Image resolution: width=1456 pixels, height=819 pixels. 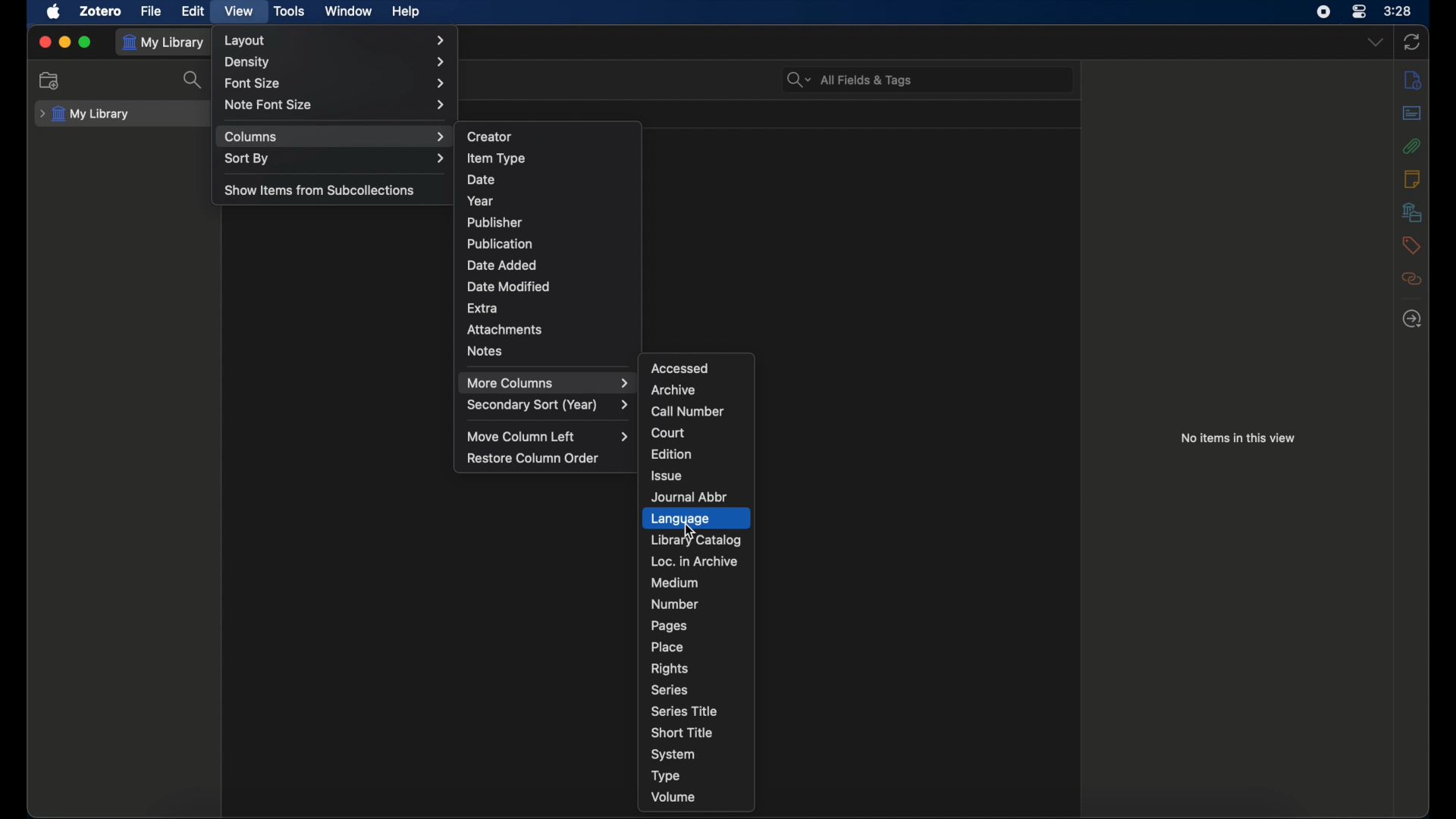 I want to click on restore column order, so click(x=534, y=459).